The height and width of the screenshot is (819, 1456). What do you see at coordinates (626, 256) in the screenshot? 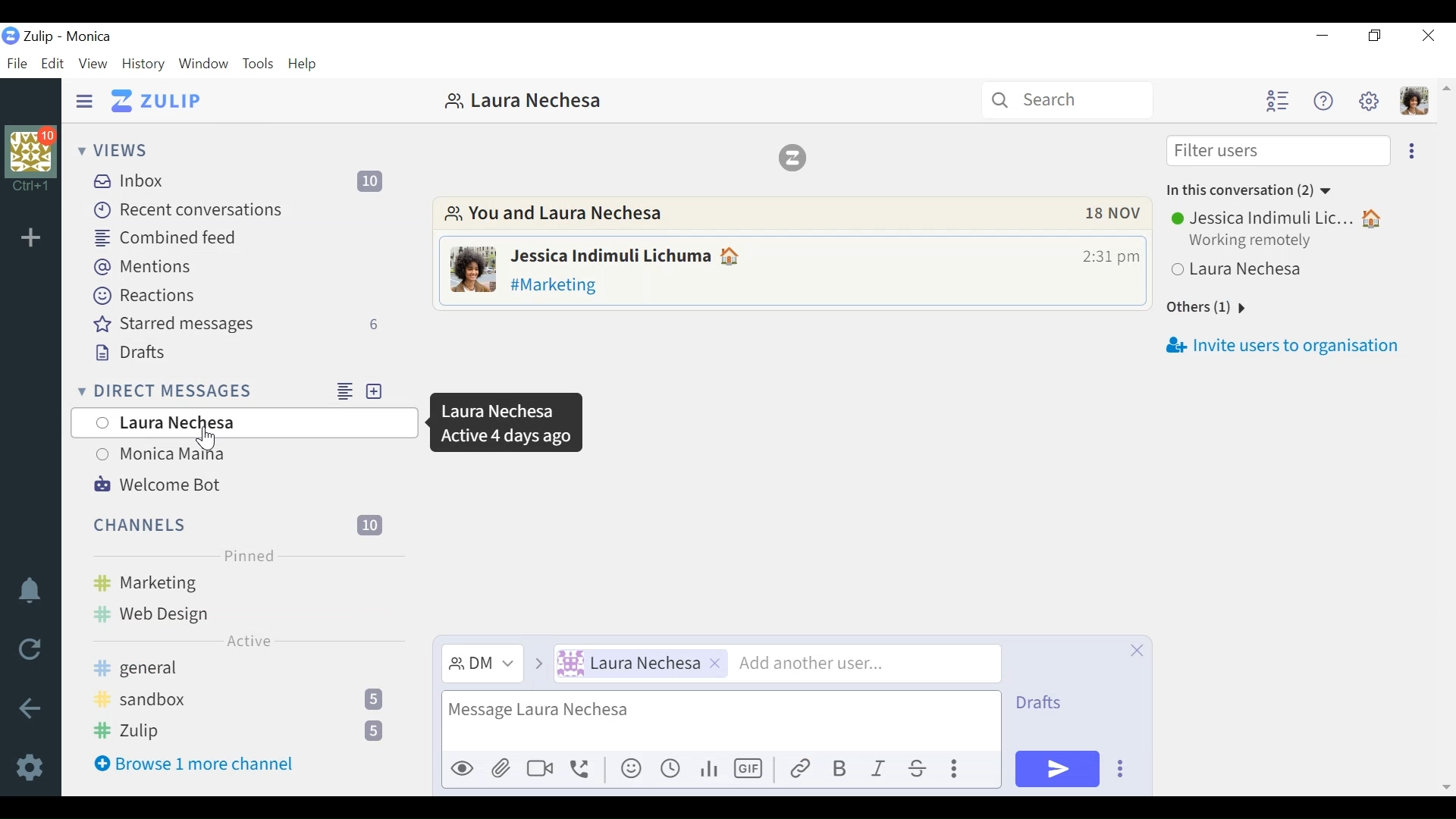
I see `User name` at bounding box center [626, 256].